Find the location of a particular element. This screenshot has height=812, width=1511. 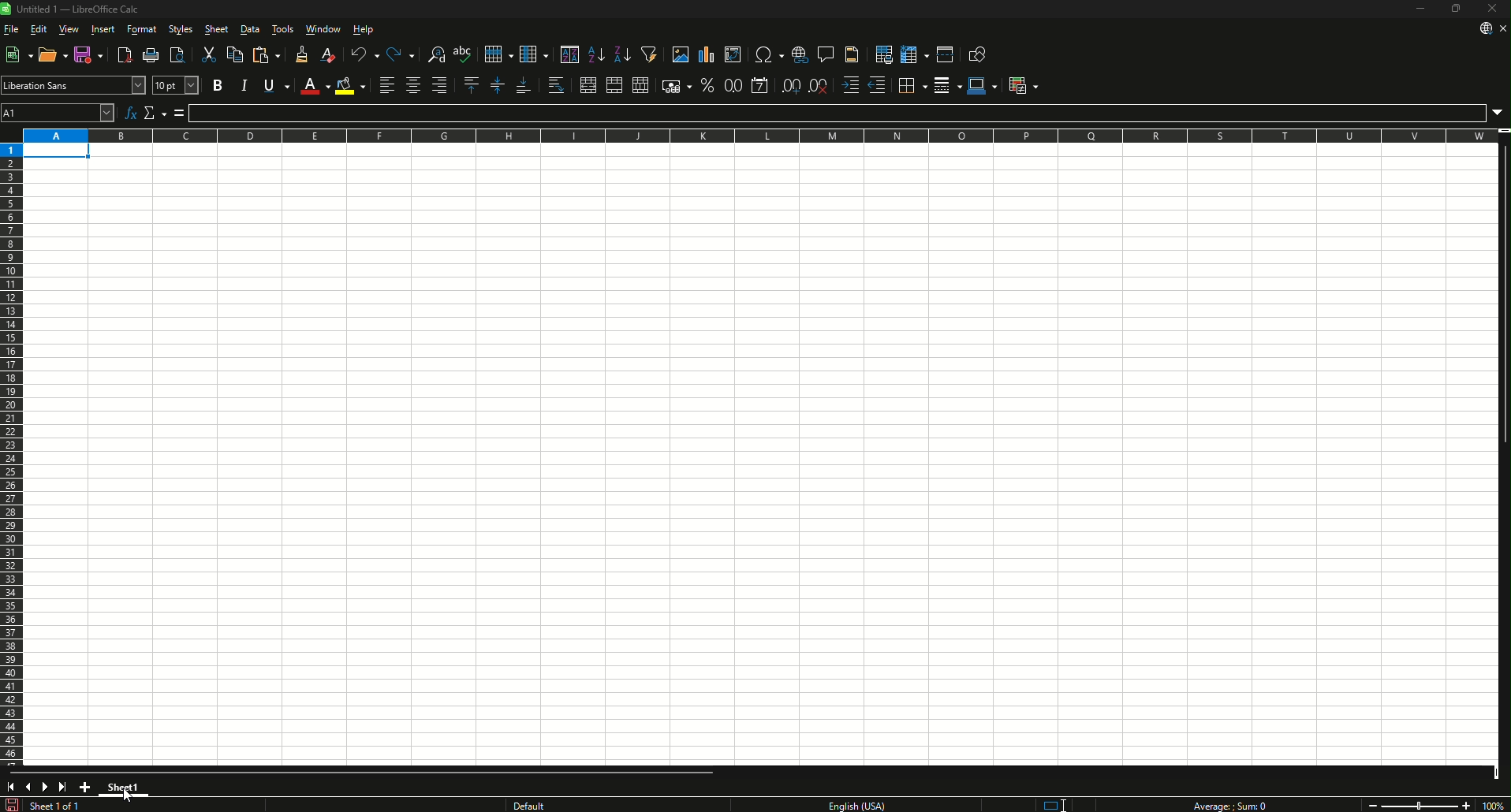

Background Color is located at coordinates (350, 85).